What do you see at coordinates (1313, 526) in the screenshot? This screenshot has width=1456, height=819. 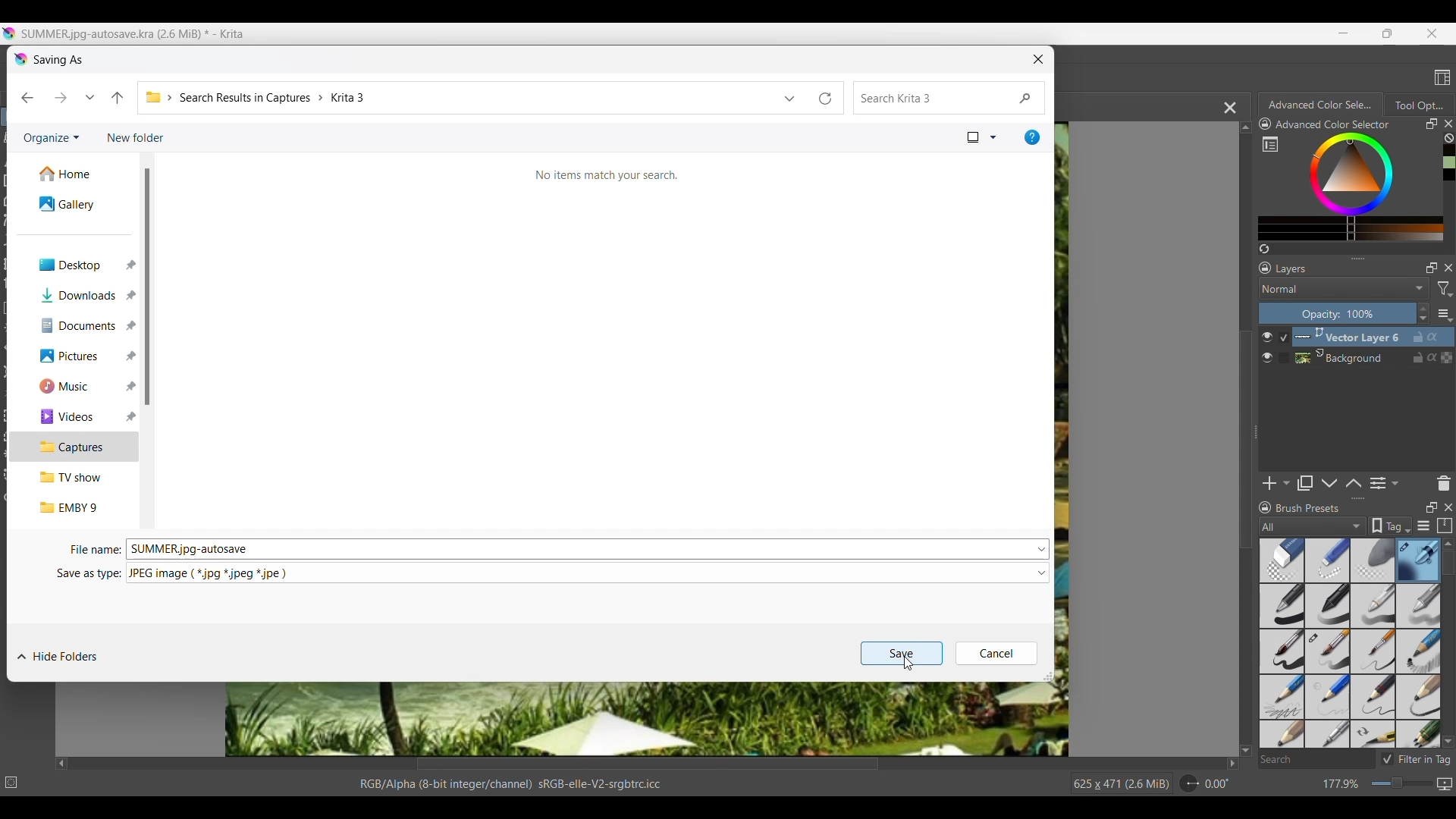 I see `Filter options for brush presets` at bounding box center [1313, 526].